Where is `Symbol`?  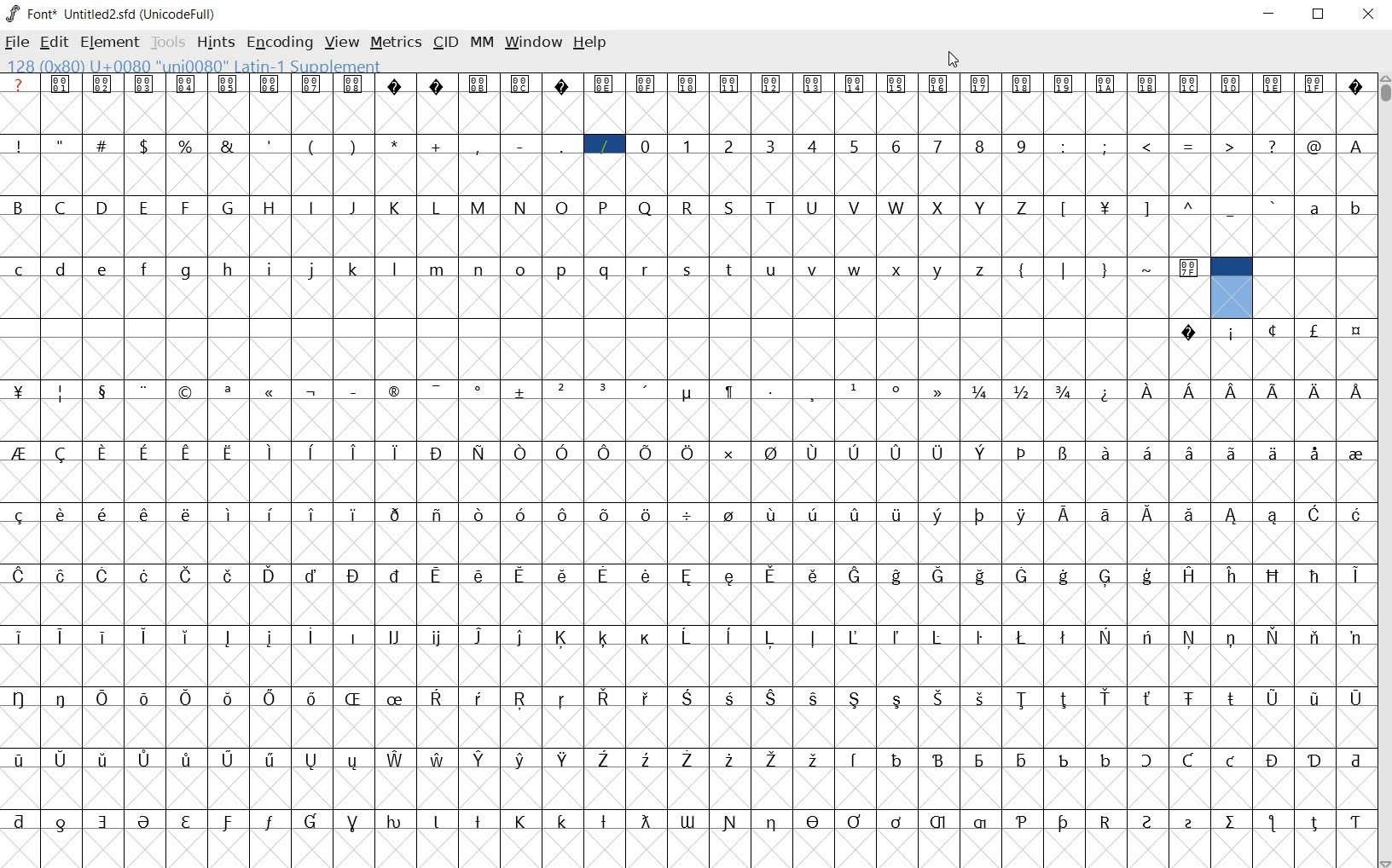
Symbol is located at coordinates (272, 575).